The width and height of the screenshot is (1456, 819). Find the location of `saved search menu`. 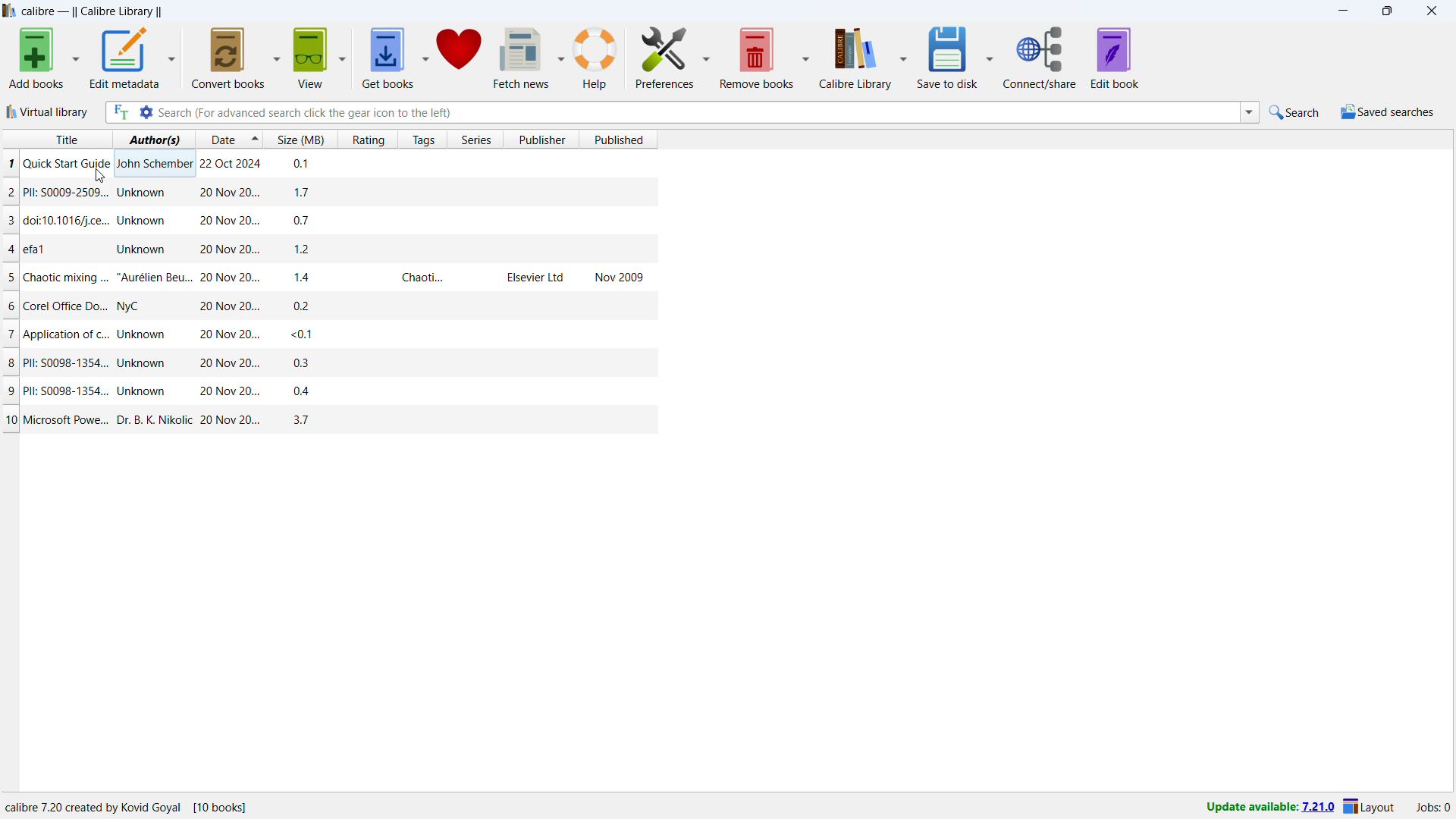

saved search menu is located at coordinates (1385, 111).